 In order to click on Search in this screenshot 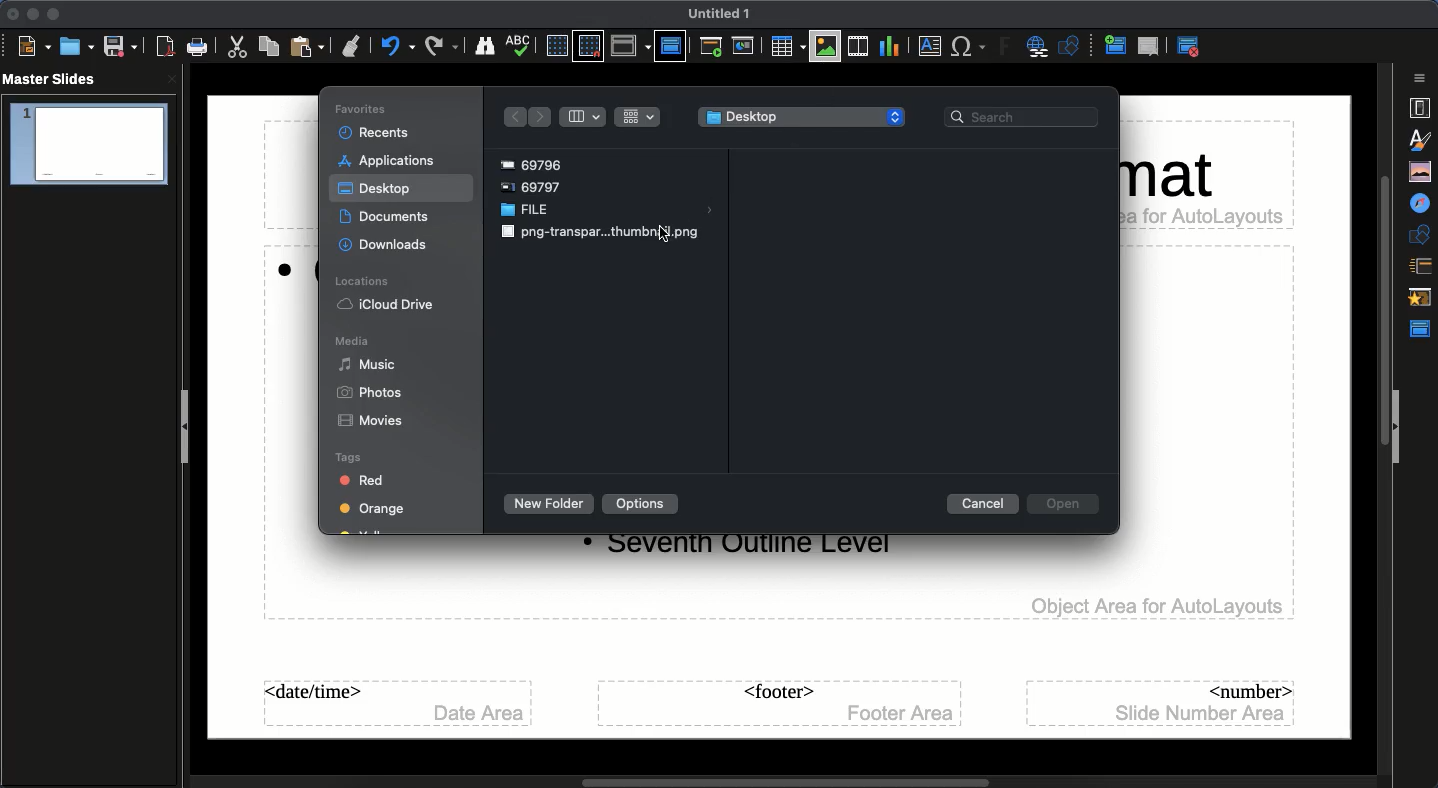, I will do `click(1025, 118)`.